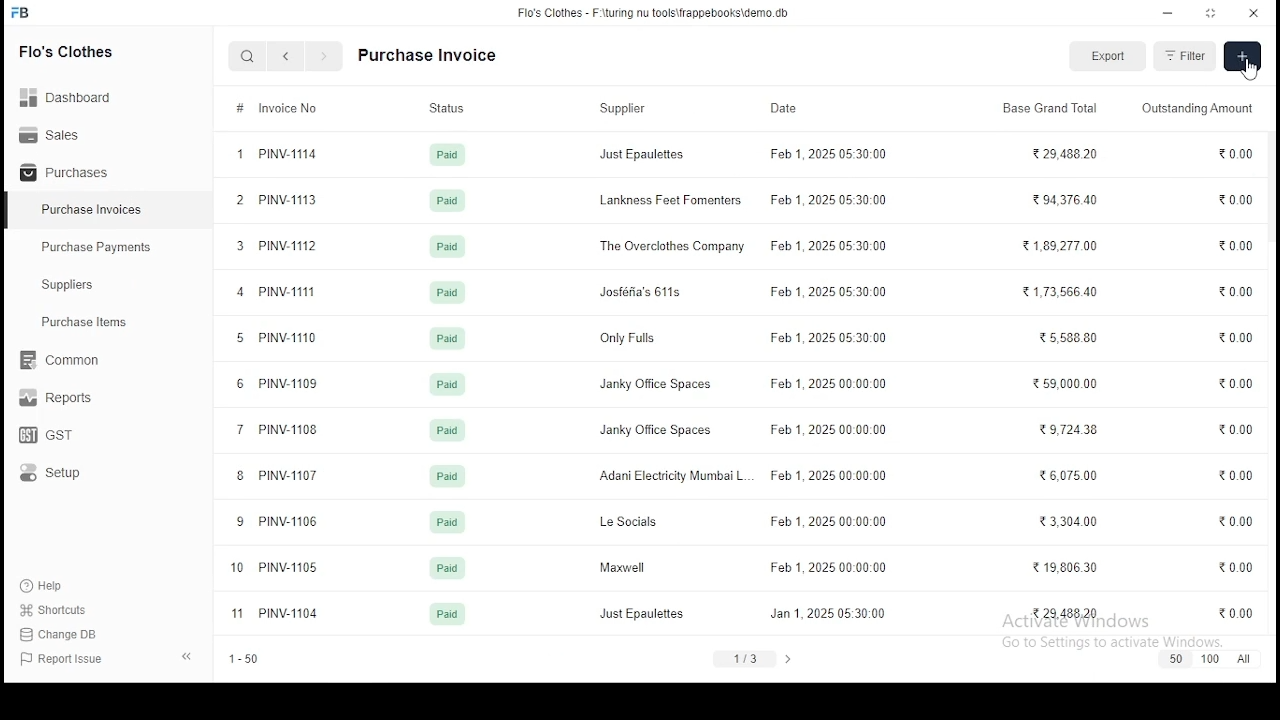 The width and height of the screenshot is (1280, 720). What do you see at coordinates (654, 13) in the screenshot?
I see `flo's clothes - F:\turing nu tools\frappebooks\demo.db` at bounding box center [654, 13].